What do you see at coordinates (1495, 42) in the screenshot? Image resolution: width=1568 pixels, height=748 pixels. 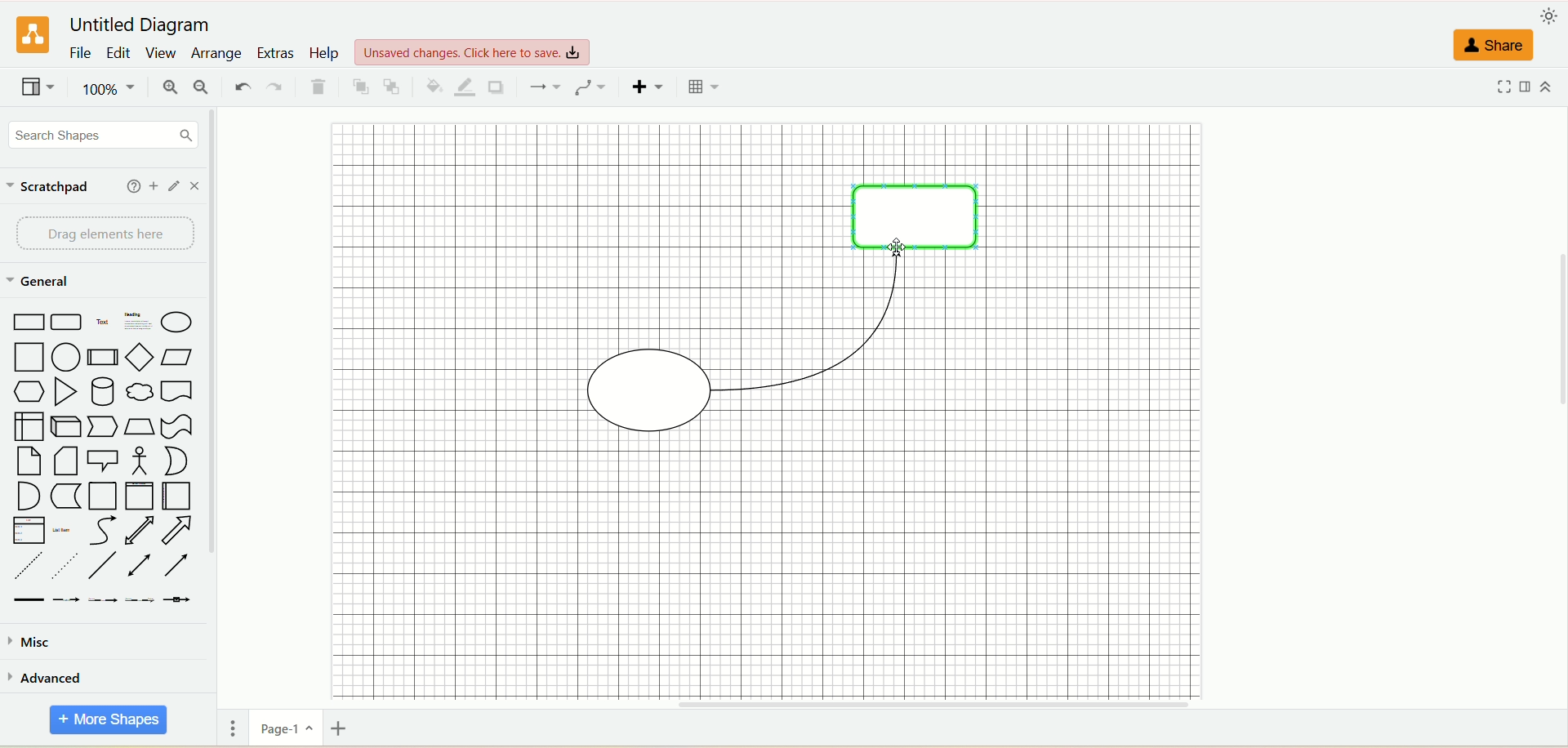 I see `share` at bounding box center [1495, 42].